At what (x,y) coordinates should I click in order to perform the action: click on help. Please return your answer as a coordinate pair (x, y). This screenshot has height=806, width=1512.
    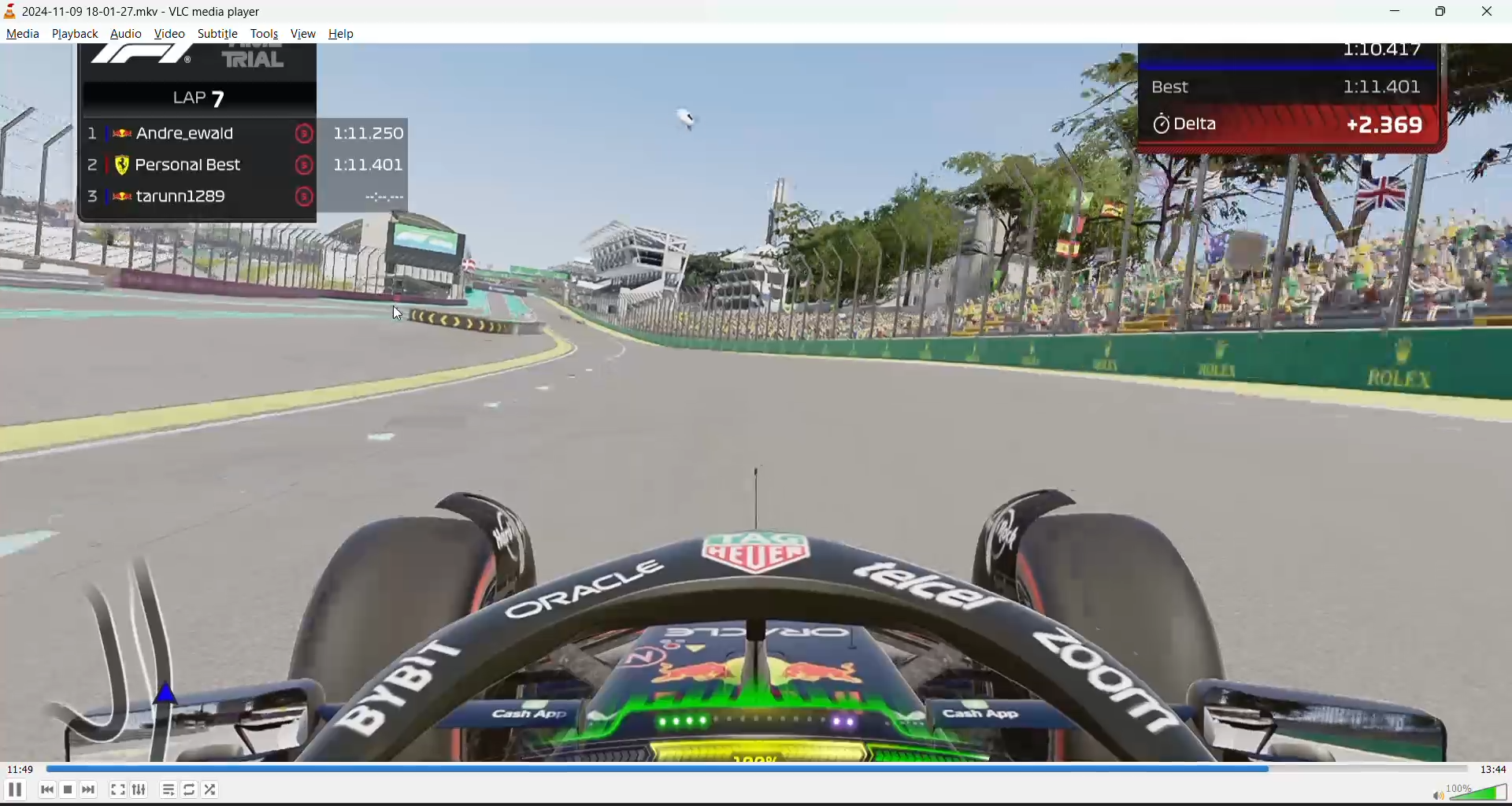
    Looking at the image, I should click on (340, 35).